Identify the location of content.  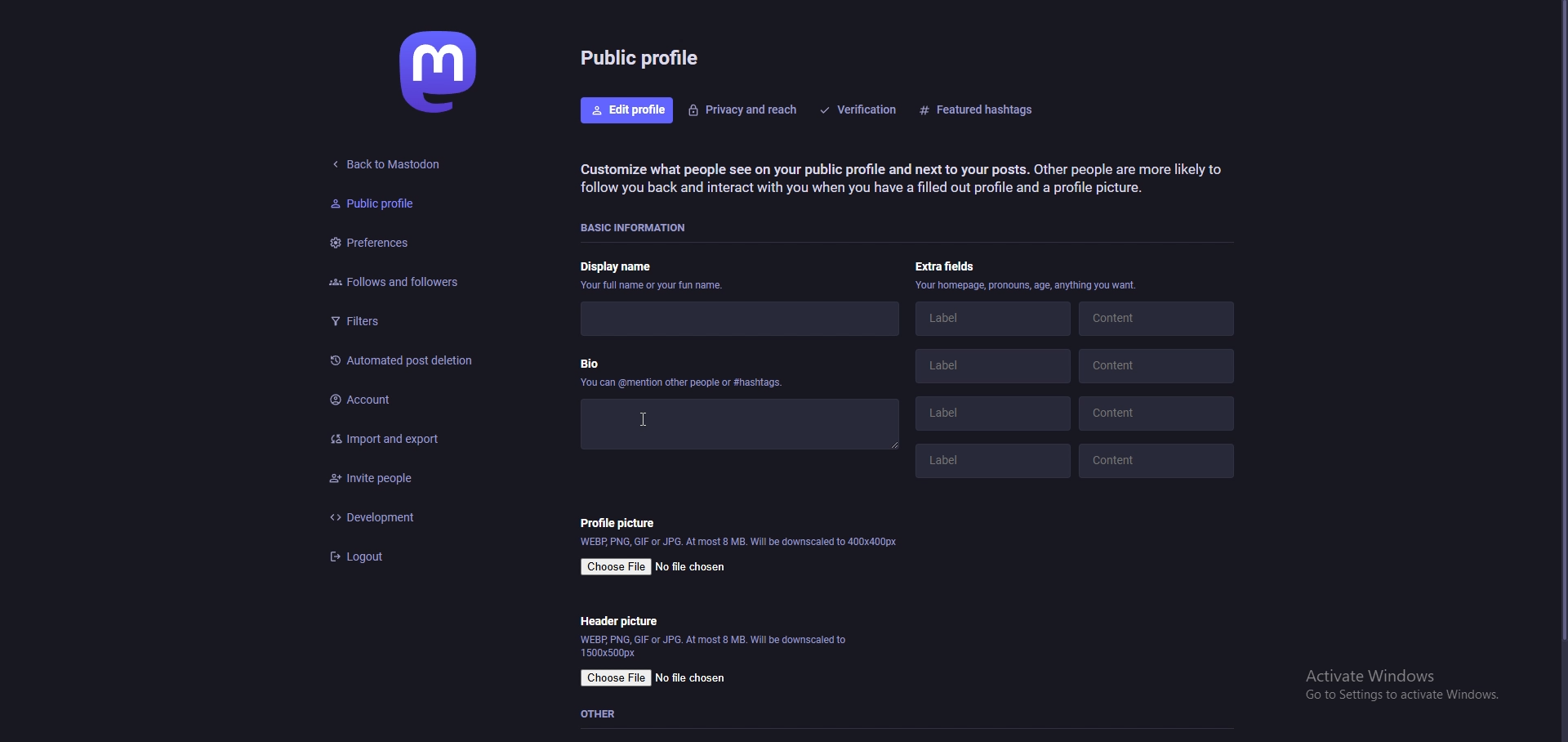
(1156, 366).